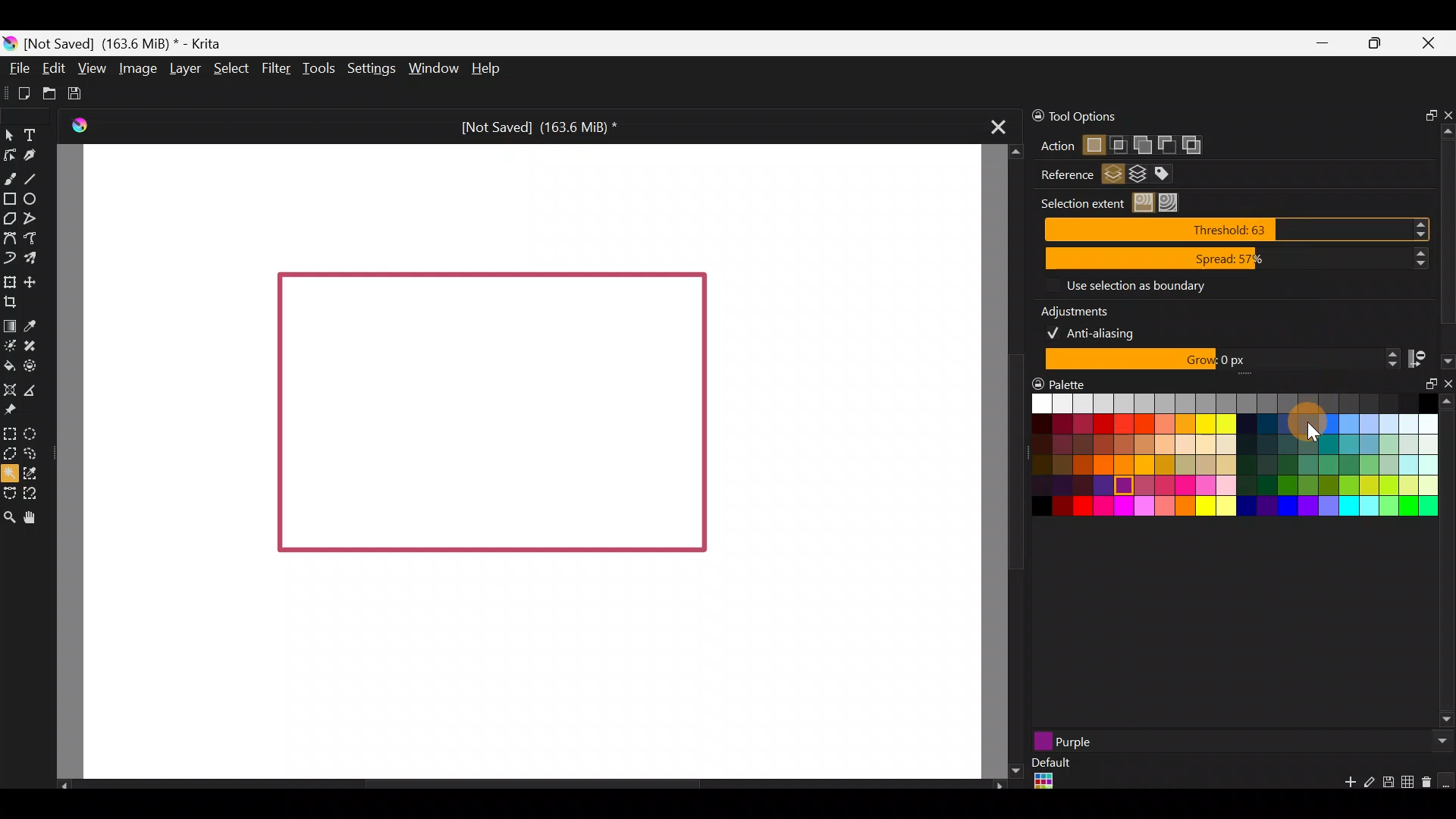 The image size is (1456, 819). What do you see at coordinates (80, 124) in the screenshot?
I see `Krita Logo` at bounding box center [80, 124].